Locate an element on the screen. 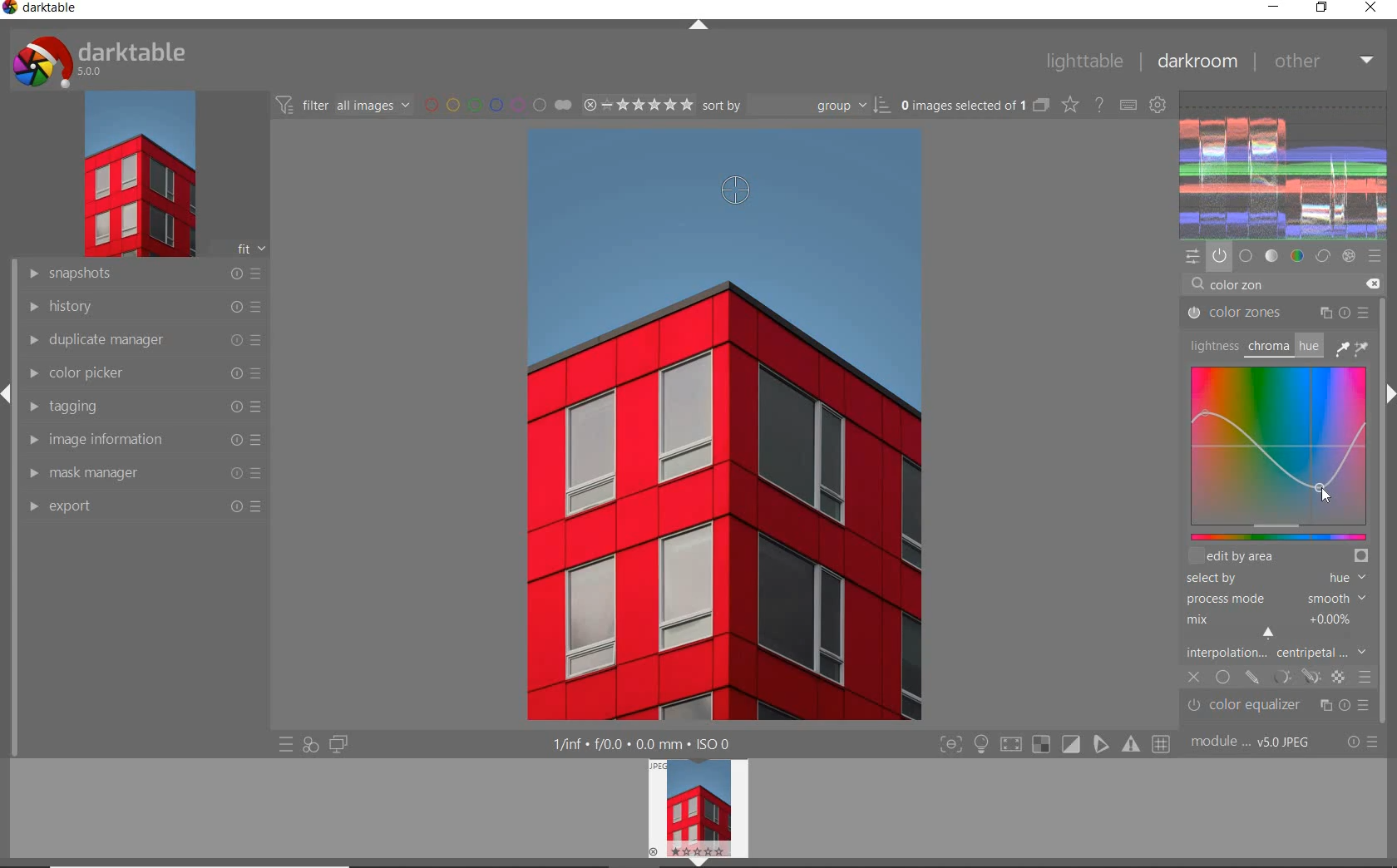 The height and width of the screenshot is (868, 1397). scrollbar is located at coordinates (1389, 579).